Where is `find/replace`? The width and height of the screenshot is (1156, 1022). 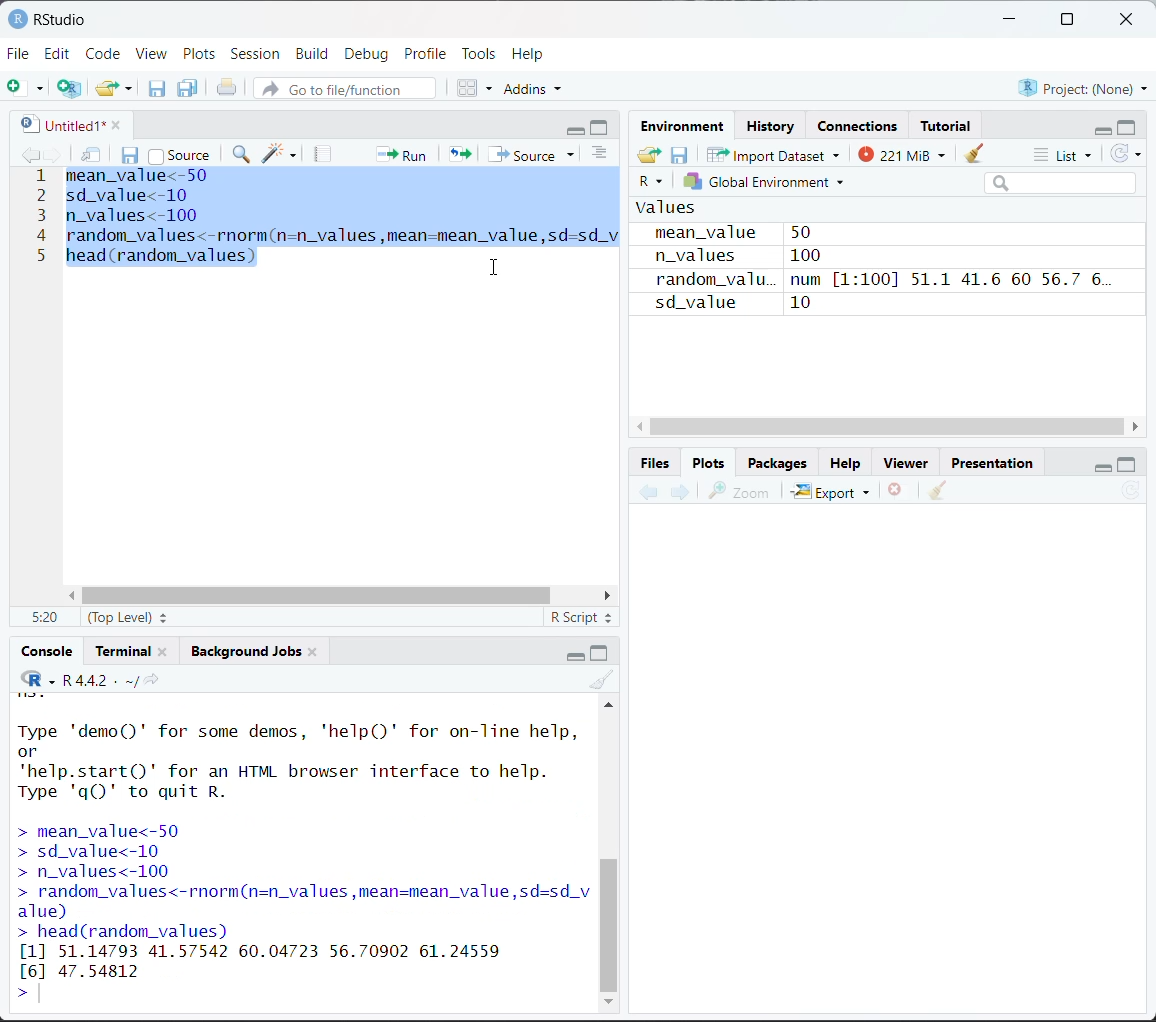
find/replace is located at coordinates (243, 156).